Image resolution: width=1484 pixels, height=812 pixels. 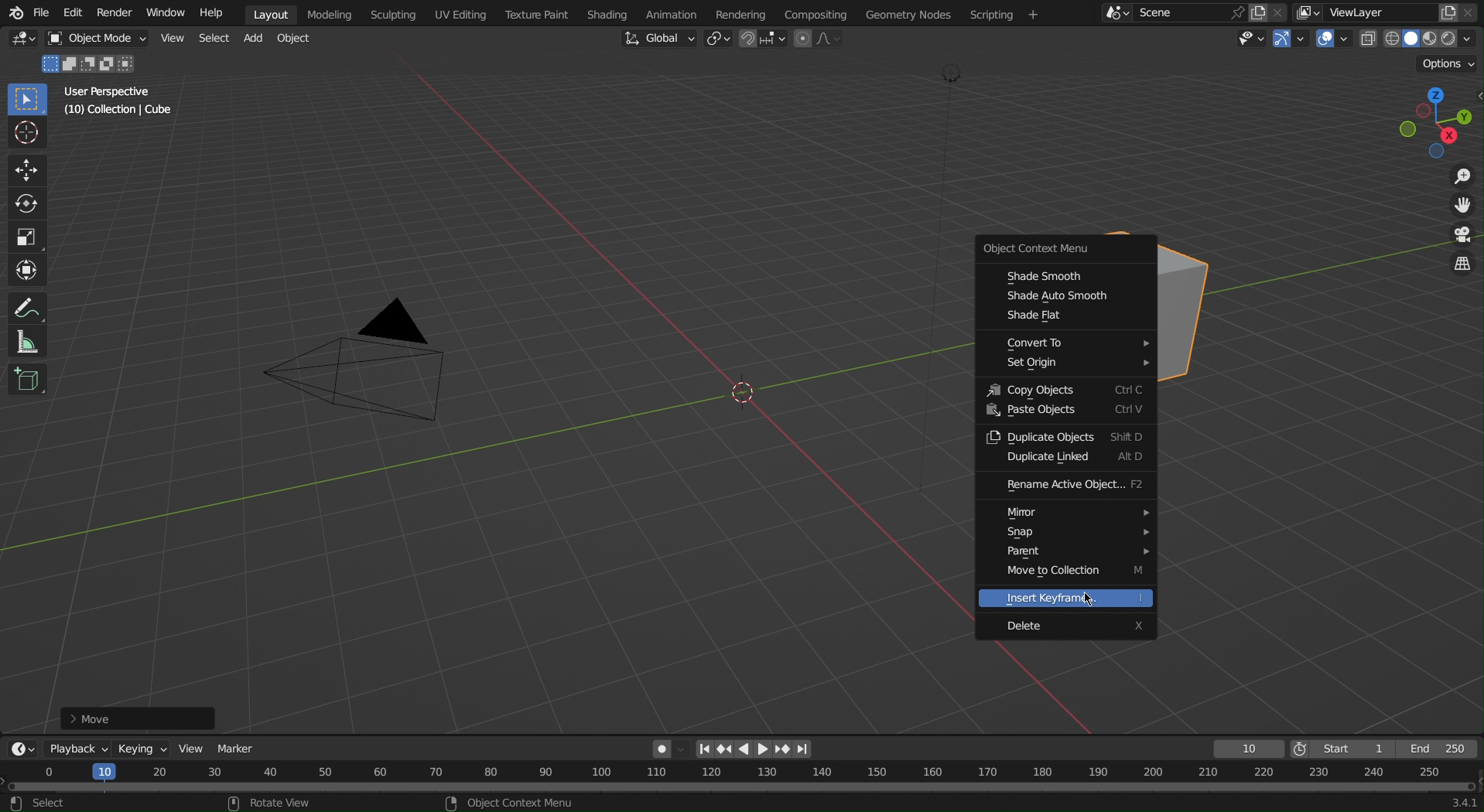 I want to click on Measure, so click(x=26, y=343).